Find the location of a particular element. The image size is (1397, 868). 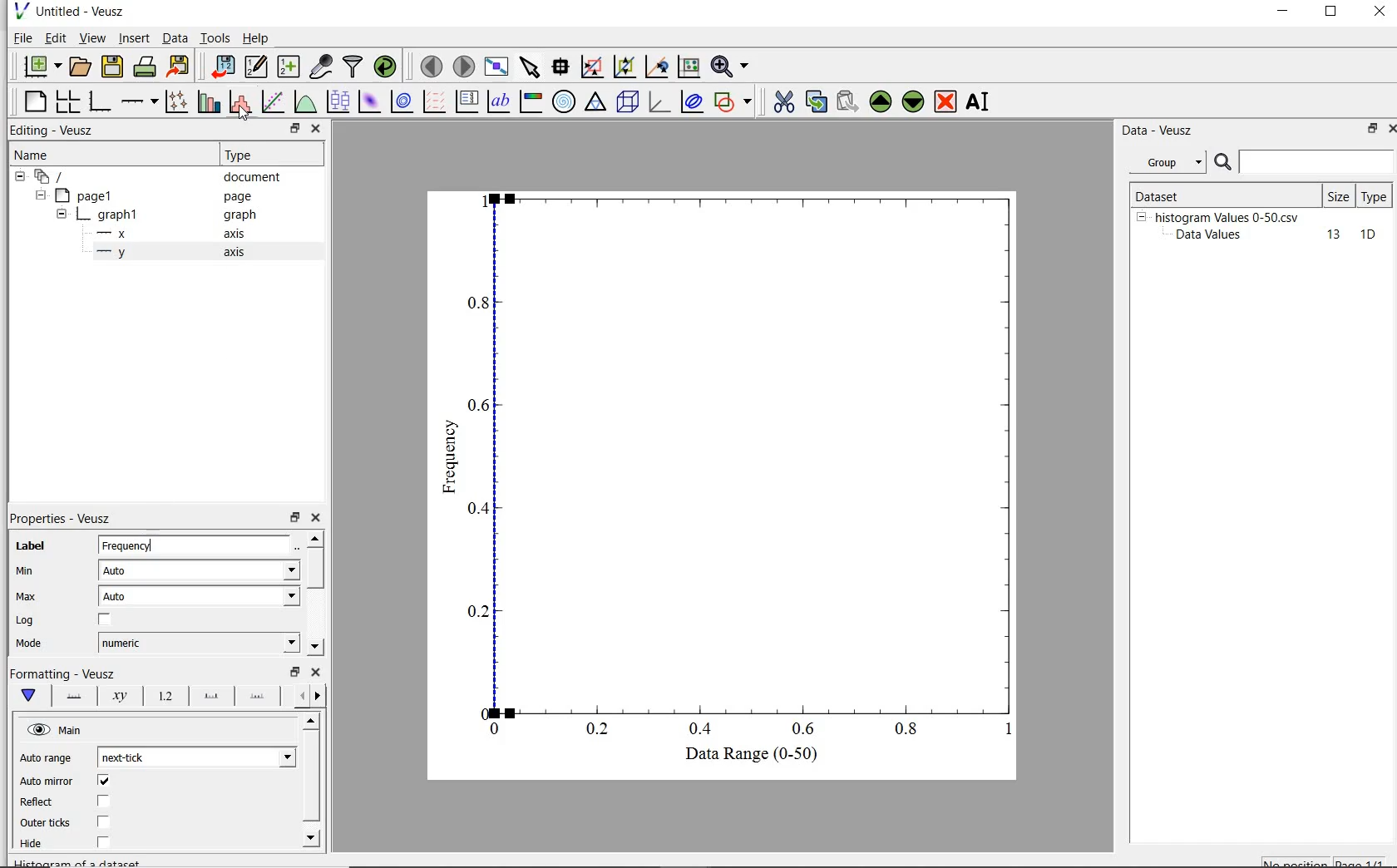

export to graphics format is located at coordinates (180, 65).